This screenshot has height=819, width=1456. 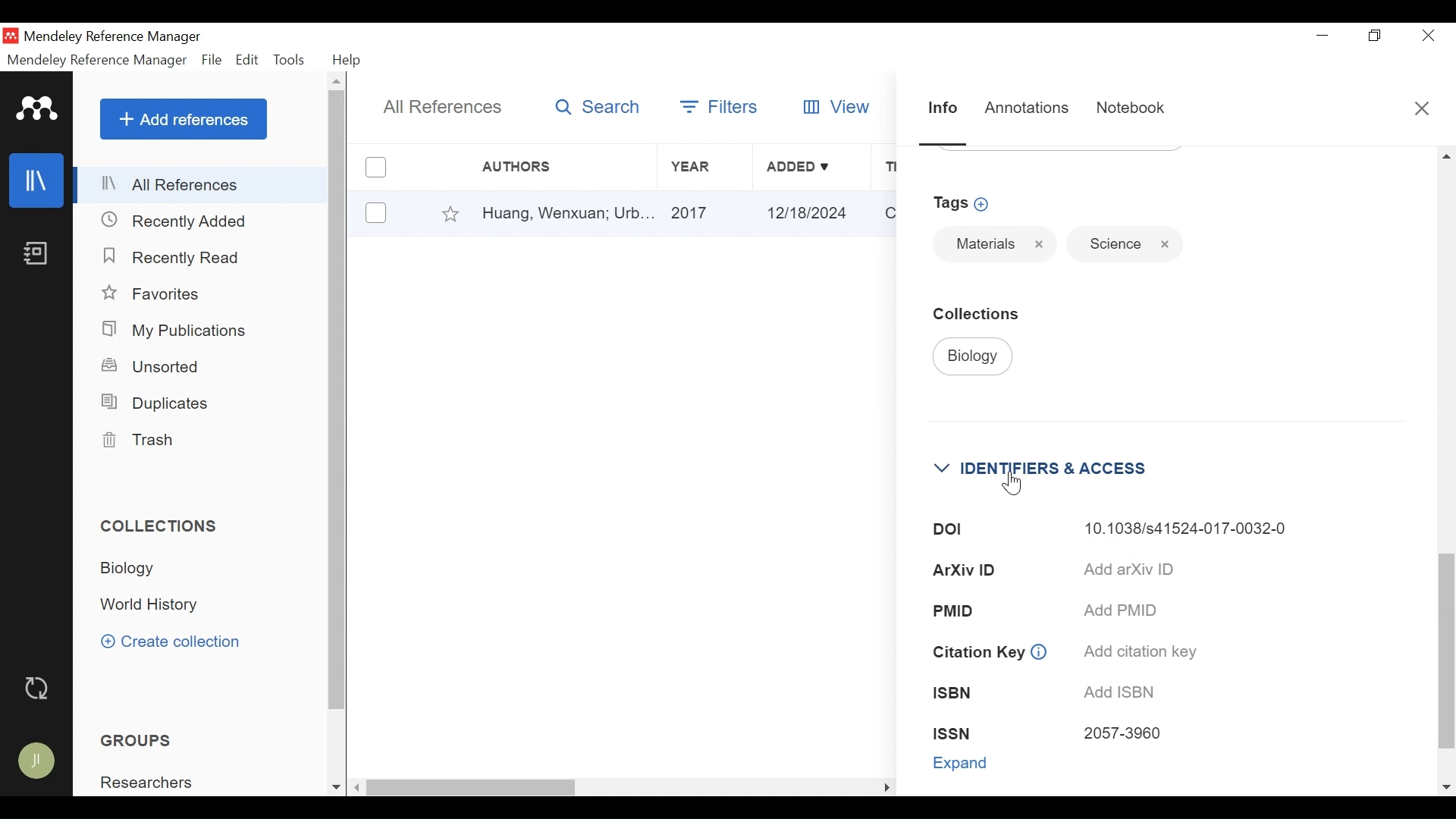 What do you see at coordinates (1123, 735) in the screenshot?
I see `2057-3960` at bounding box center [1123, 735].